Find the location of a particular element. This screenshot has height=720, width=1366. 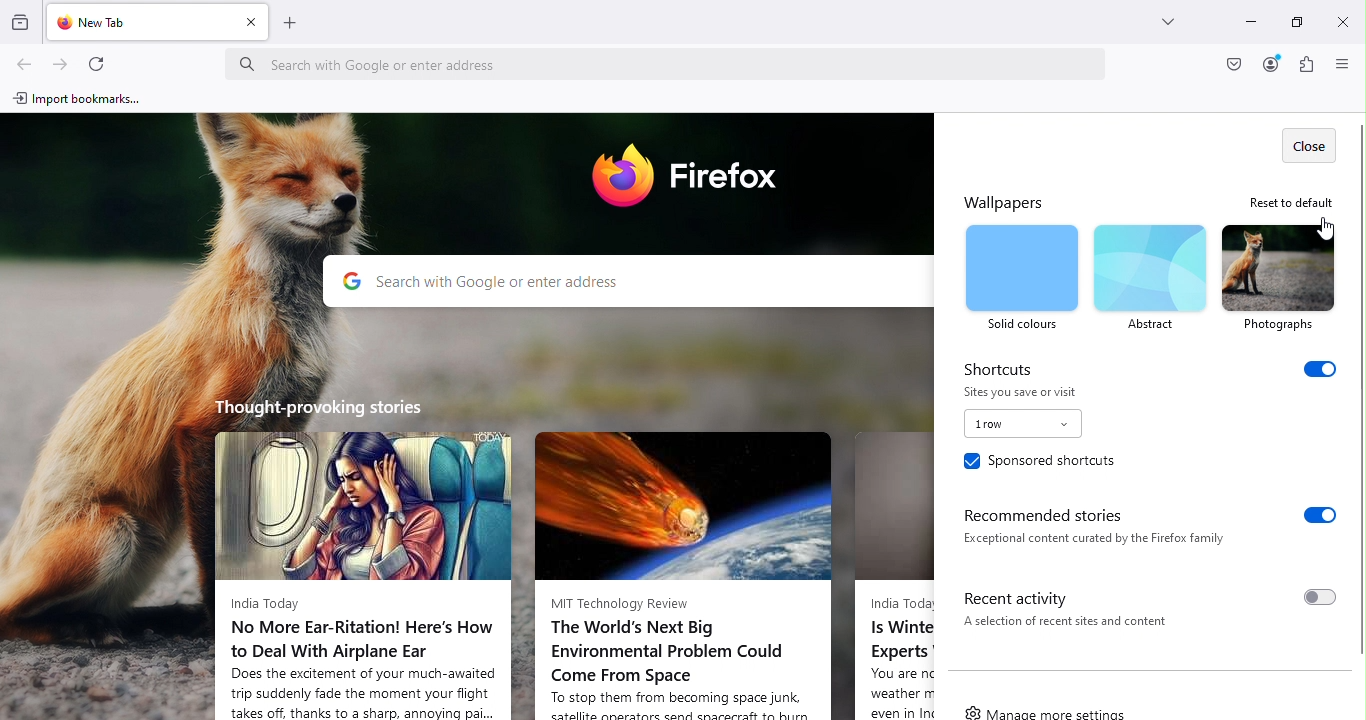

Maximize is located at coordinates (1300, 24).